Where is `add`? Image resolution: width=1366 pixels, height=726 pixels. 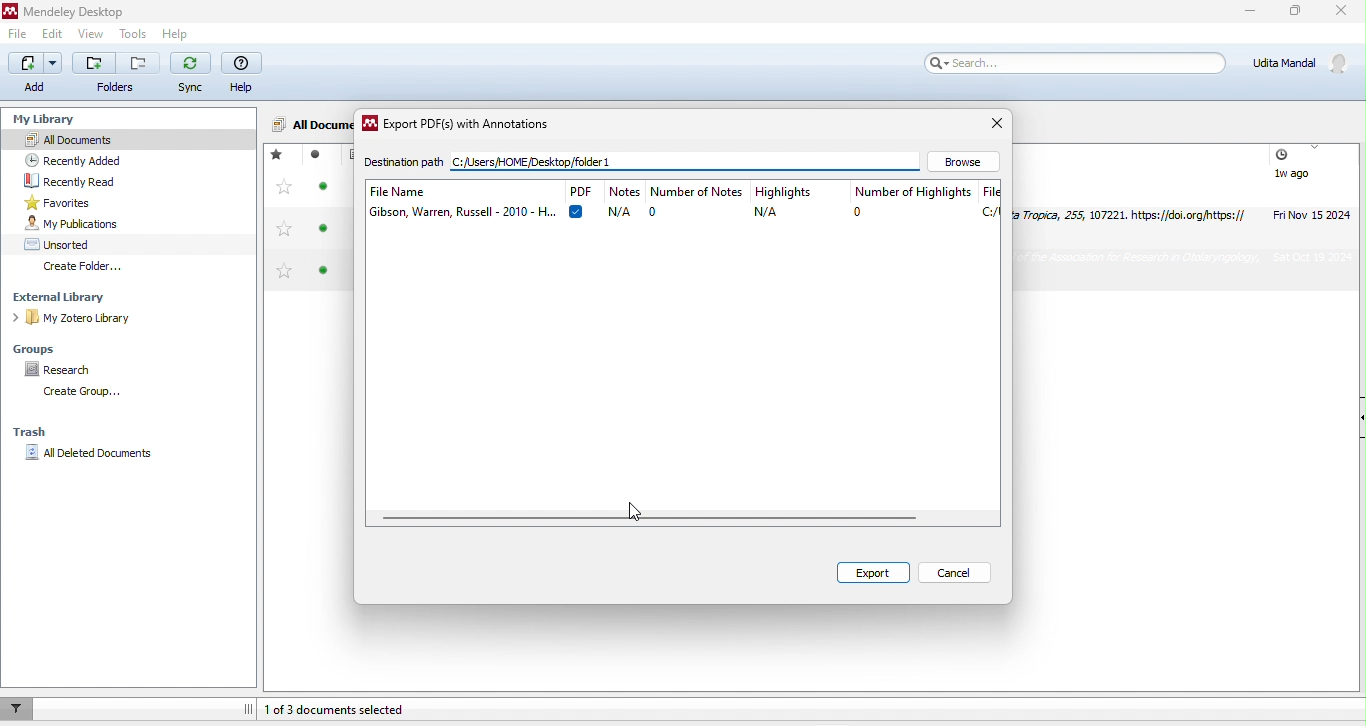
add is located at coordinates (35, 75).